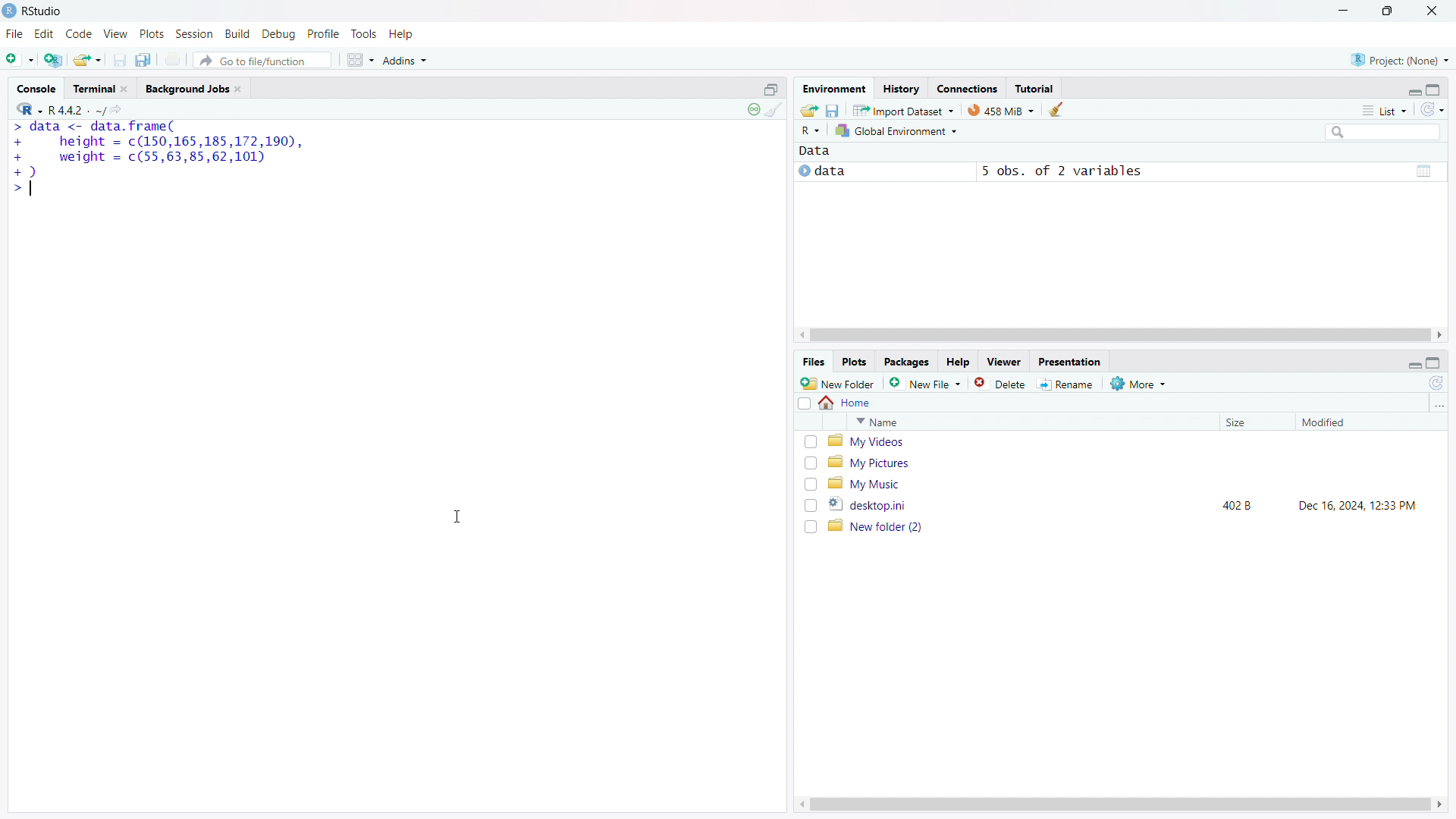 This screenshot has height=819, width=1456. I want to click on modified, so click(1351, 422).